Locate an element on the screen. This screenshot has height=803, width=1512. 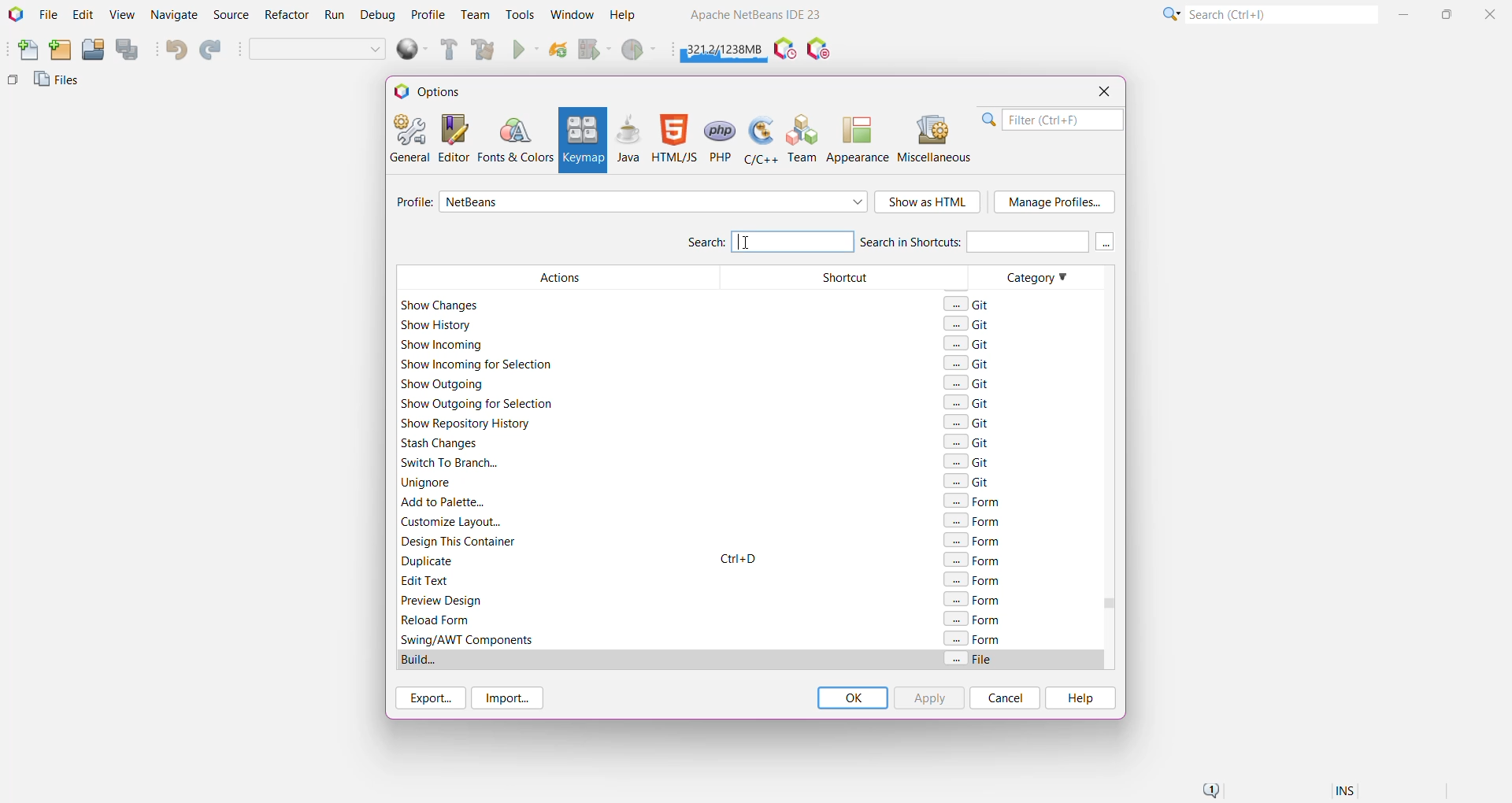
View is located at coordinates (121, 16).